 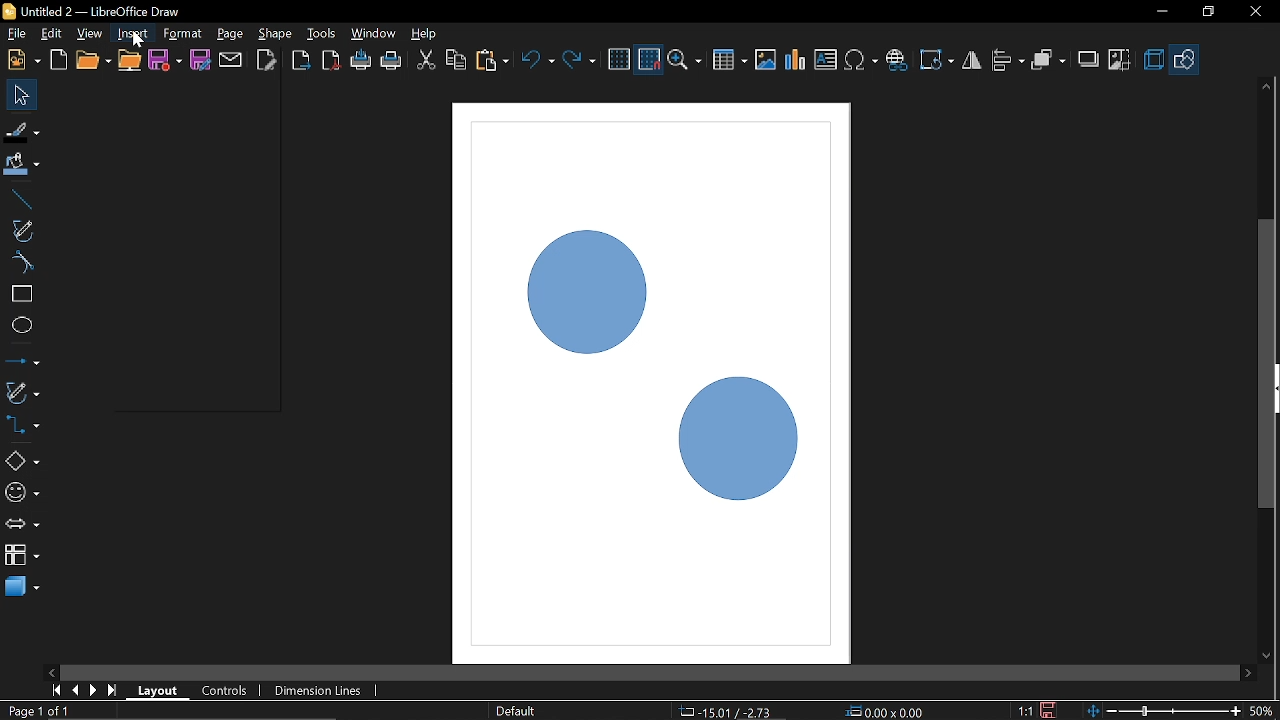 What do you see at coordinates (1051, 710) in the screenshot?
I see `Save` at bounding box center [1051, 710].